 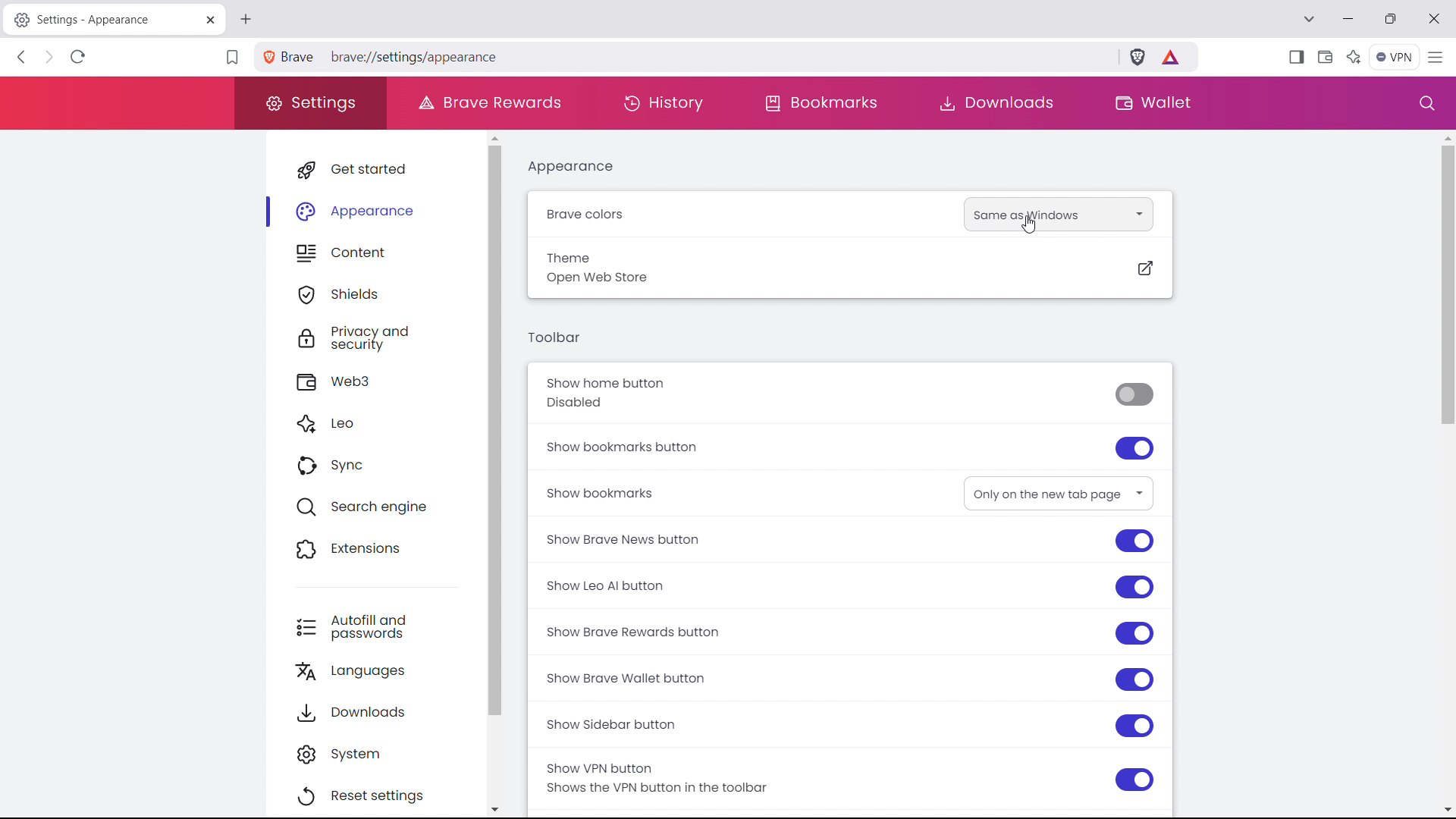 What do you see at coordinates (849, 586) in the screenshot?
I see `show leo AI button` at bounding box center [849, 586].